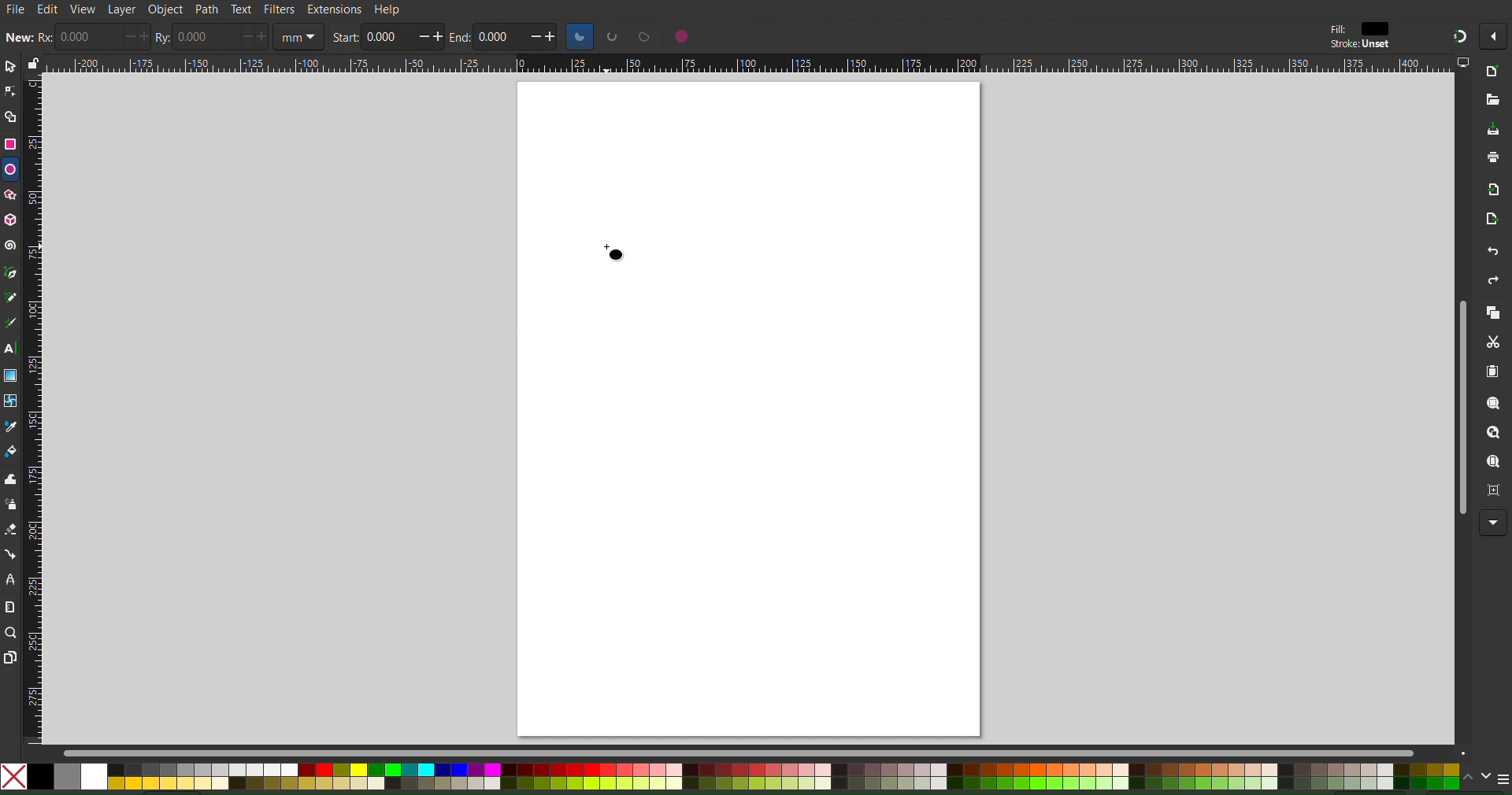 Image resolution: width=1512 pixels, height=795 pixels. Describe the element at coordinates (48, 9) in the screenshot. I see `Edit` at that location.